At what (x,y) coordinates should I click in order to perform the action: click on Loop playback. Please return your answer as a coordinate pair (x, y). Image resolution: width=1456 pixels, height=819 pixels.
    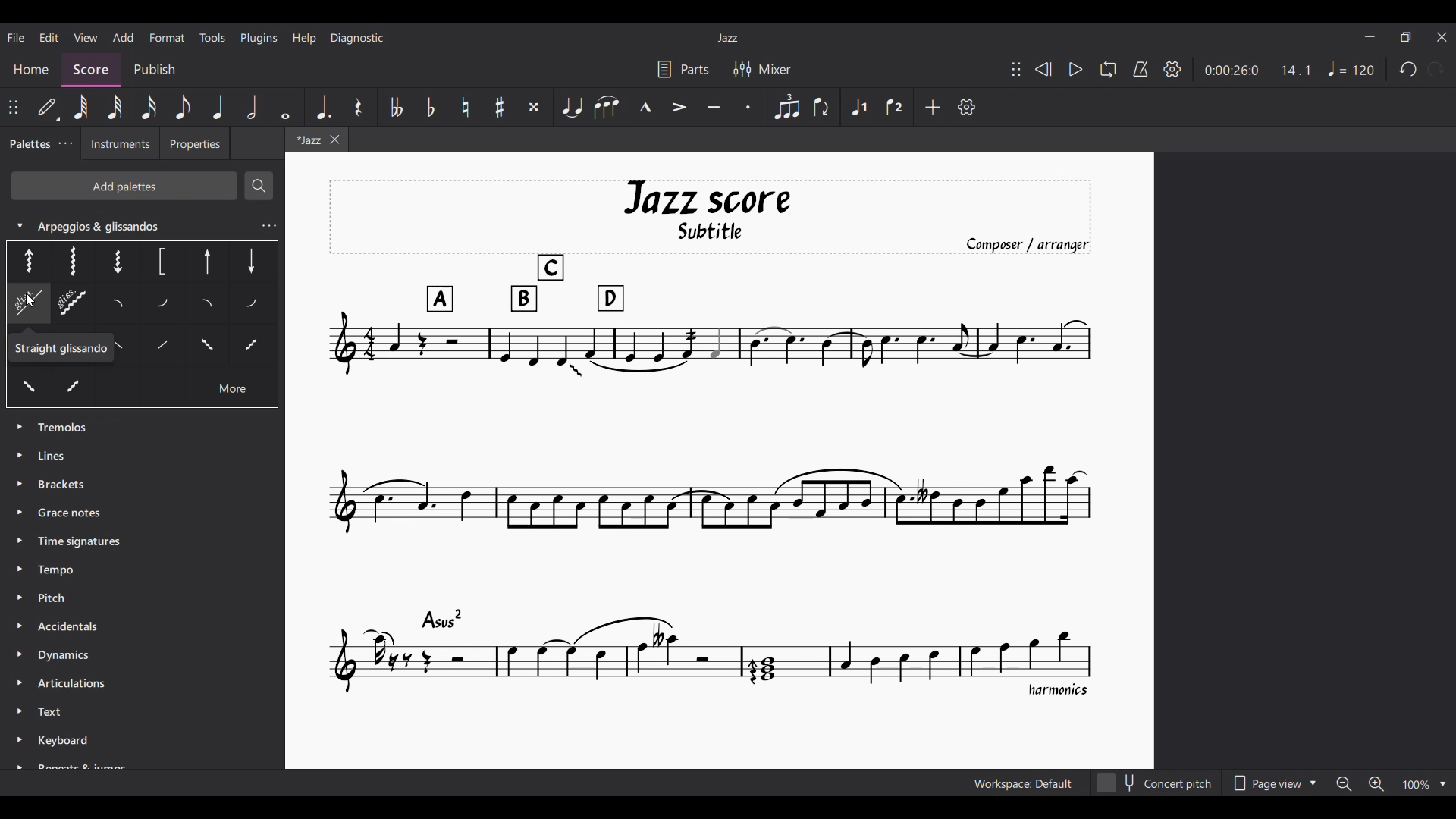
    Looking at the image, I should click on (1108, 69).